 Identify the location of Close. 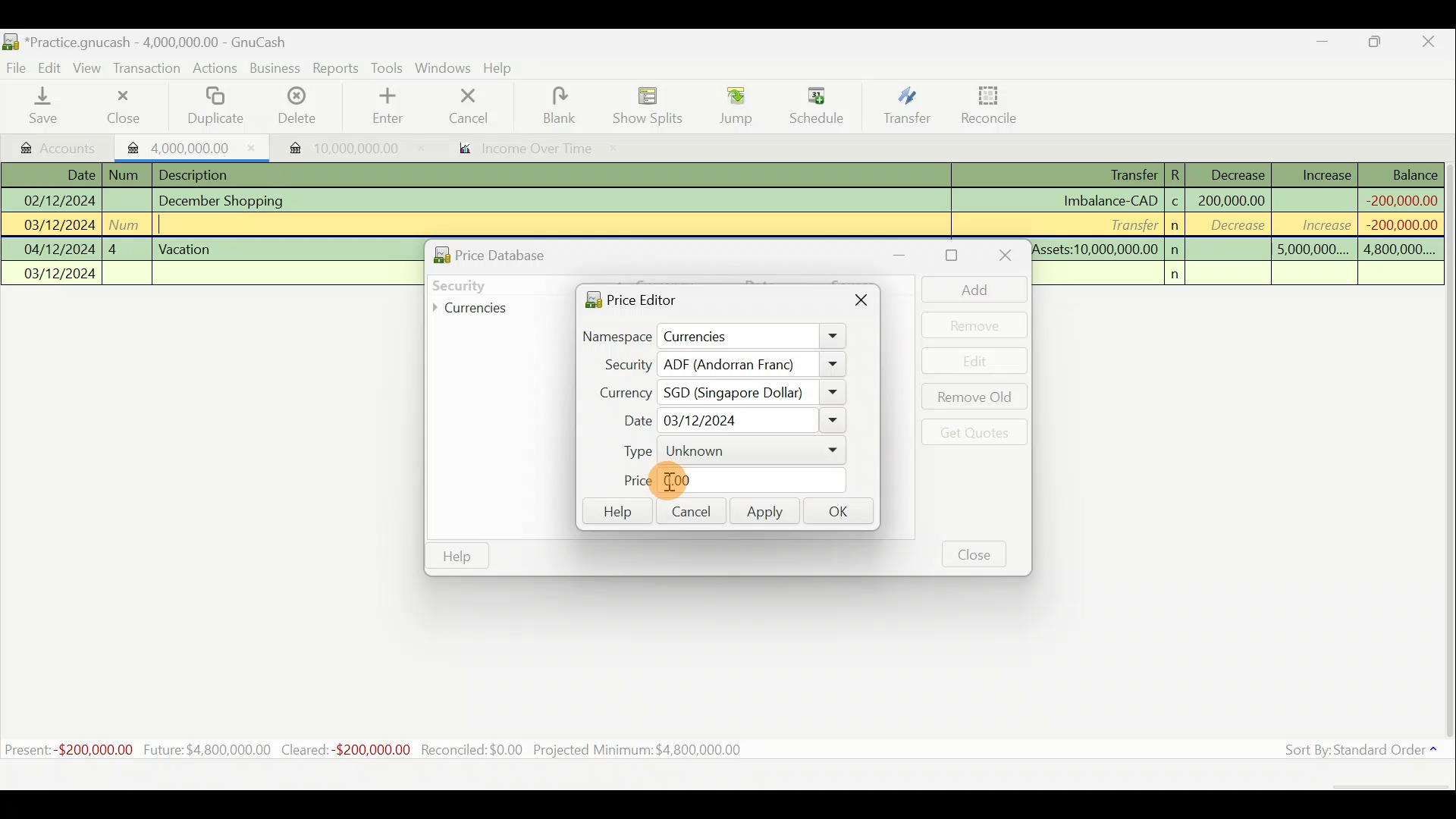
(121, 106).